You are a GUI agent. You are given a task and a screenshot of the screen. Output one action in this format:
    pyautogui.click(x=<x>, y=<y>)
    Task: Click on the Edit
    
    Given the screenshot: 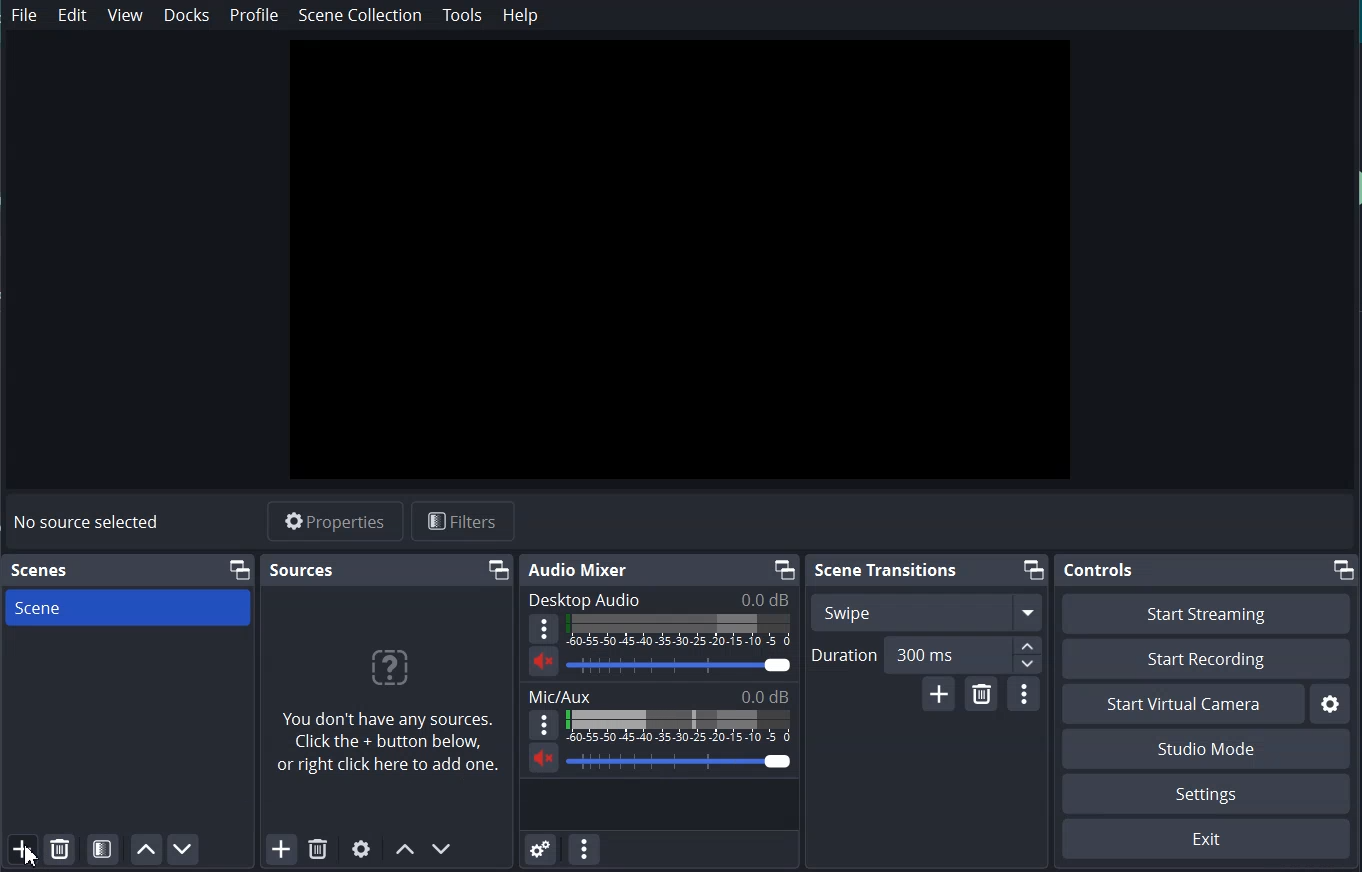 What is the action you would take?
    pyautogui.click(x=74, y=15)
    